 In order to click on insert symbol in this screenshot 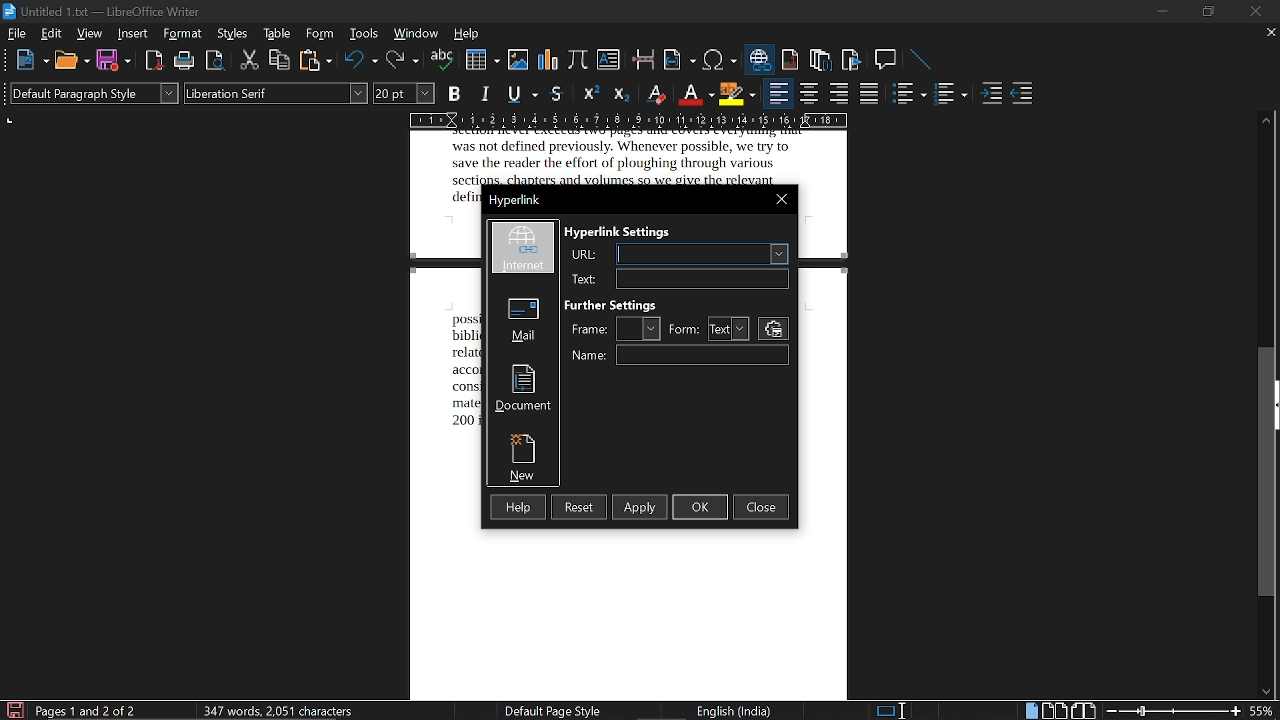, I will do `click(719, 61)`.